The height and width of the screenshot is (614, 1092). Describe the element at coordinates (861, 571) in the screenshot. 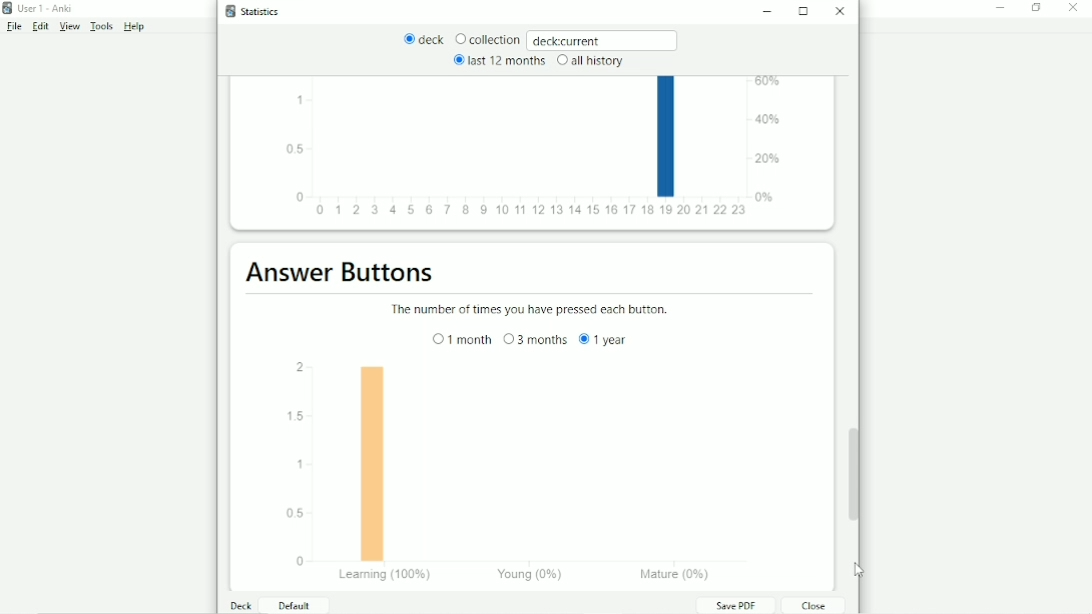

I see `Cursor` at that location.